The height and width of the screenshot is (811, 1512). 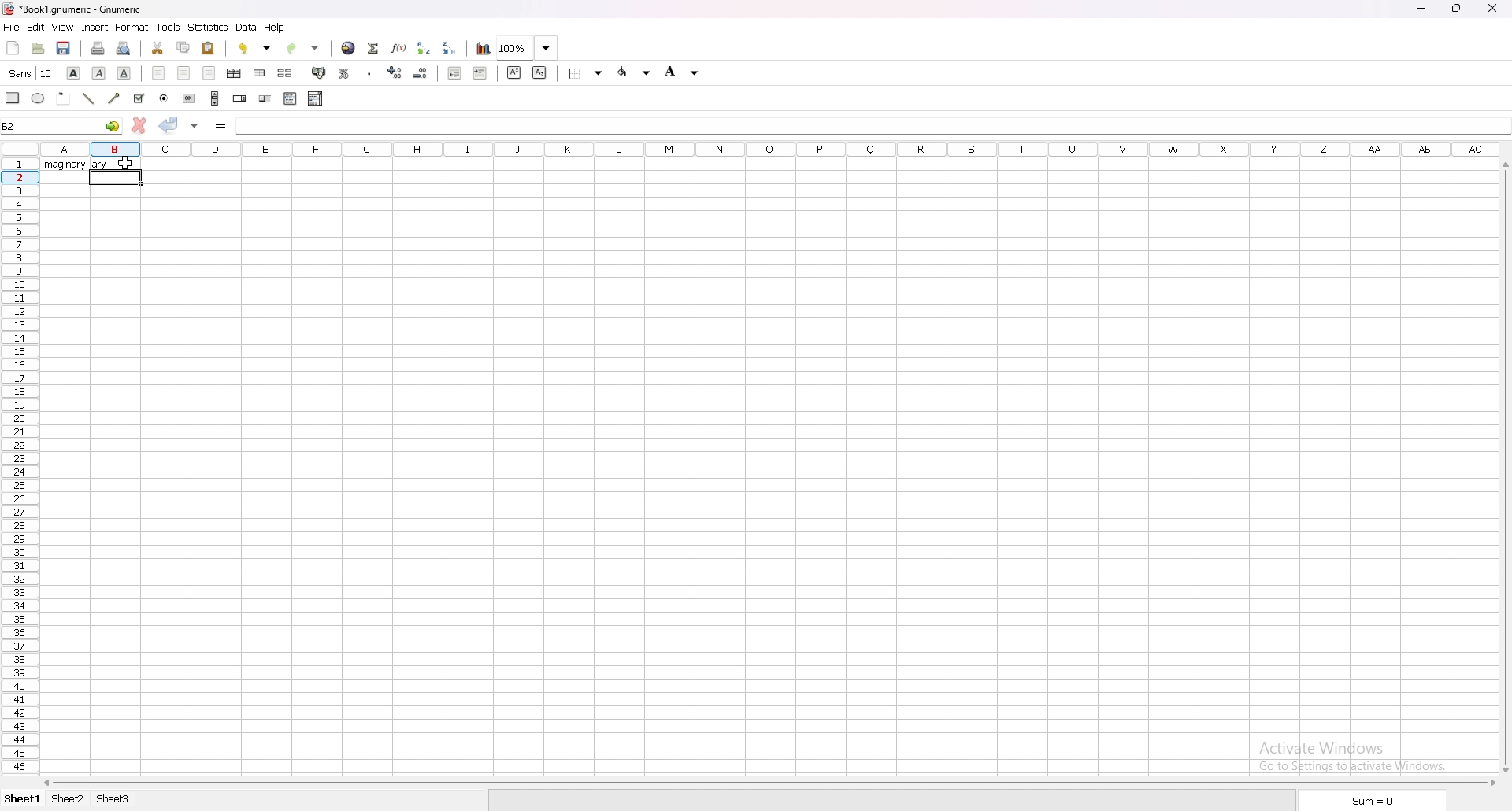 What do you see at coordinates (117, 148) in the screenshot?
I see `selected cell column` at bounding box center [117, 148].